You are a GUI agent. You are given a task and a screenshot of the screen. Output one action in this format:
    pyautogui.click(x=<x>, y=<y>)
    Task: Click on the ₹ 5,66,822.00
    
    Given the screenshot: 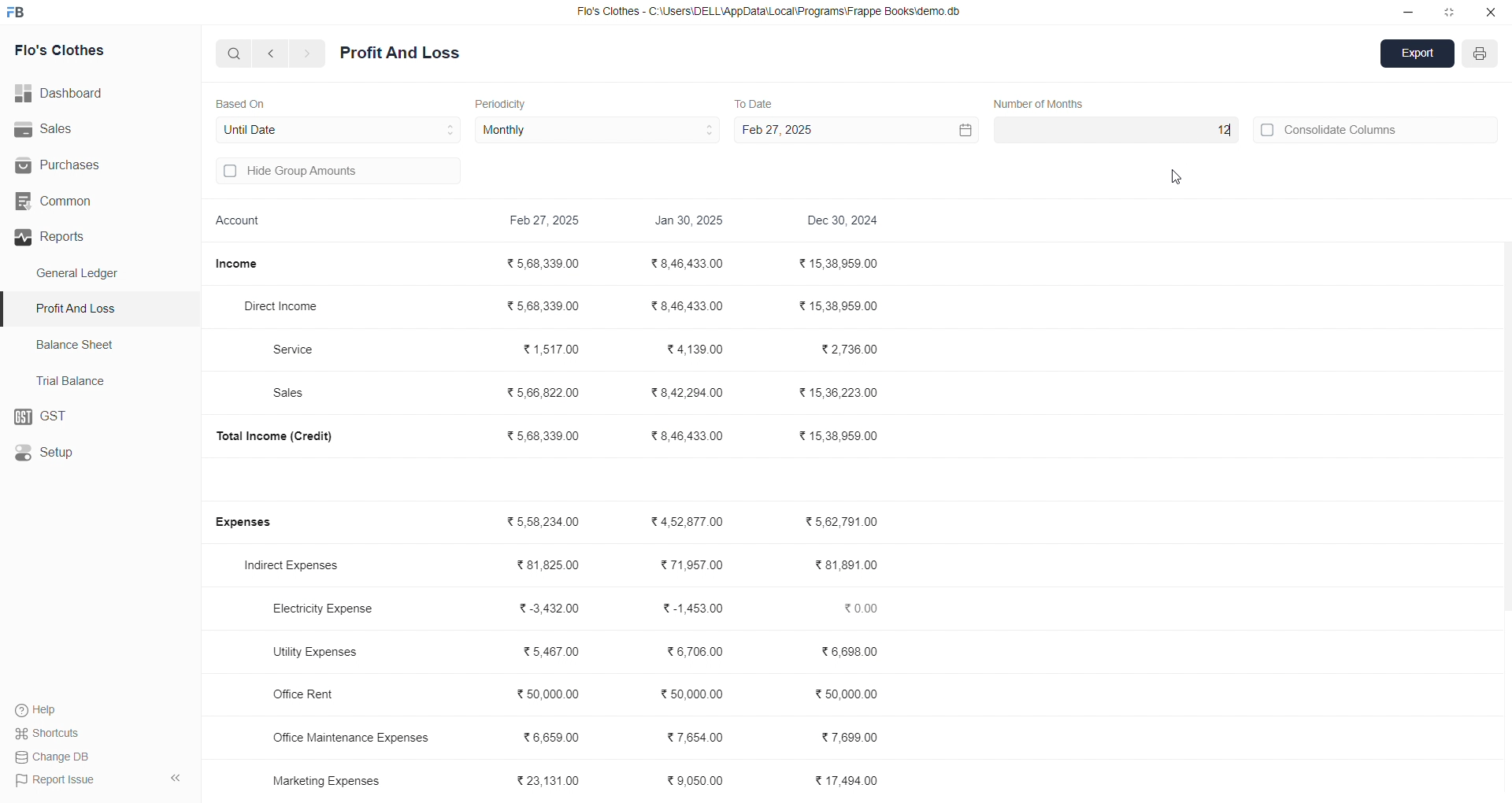 What is the action you would take?
    pyautogui.click(x=545, y=391)
    